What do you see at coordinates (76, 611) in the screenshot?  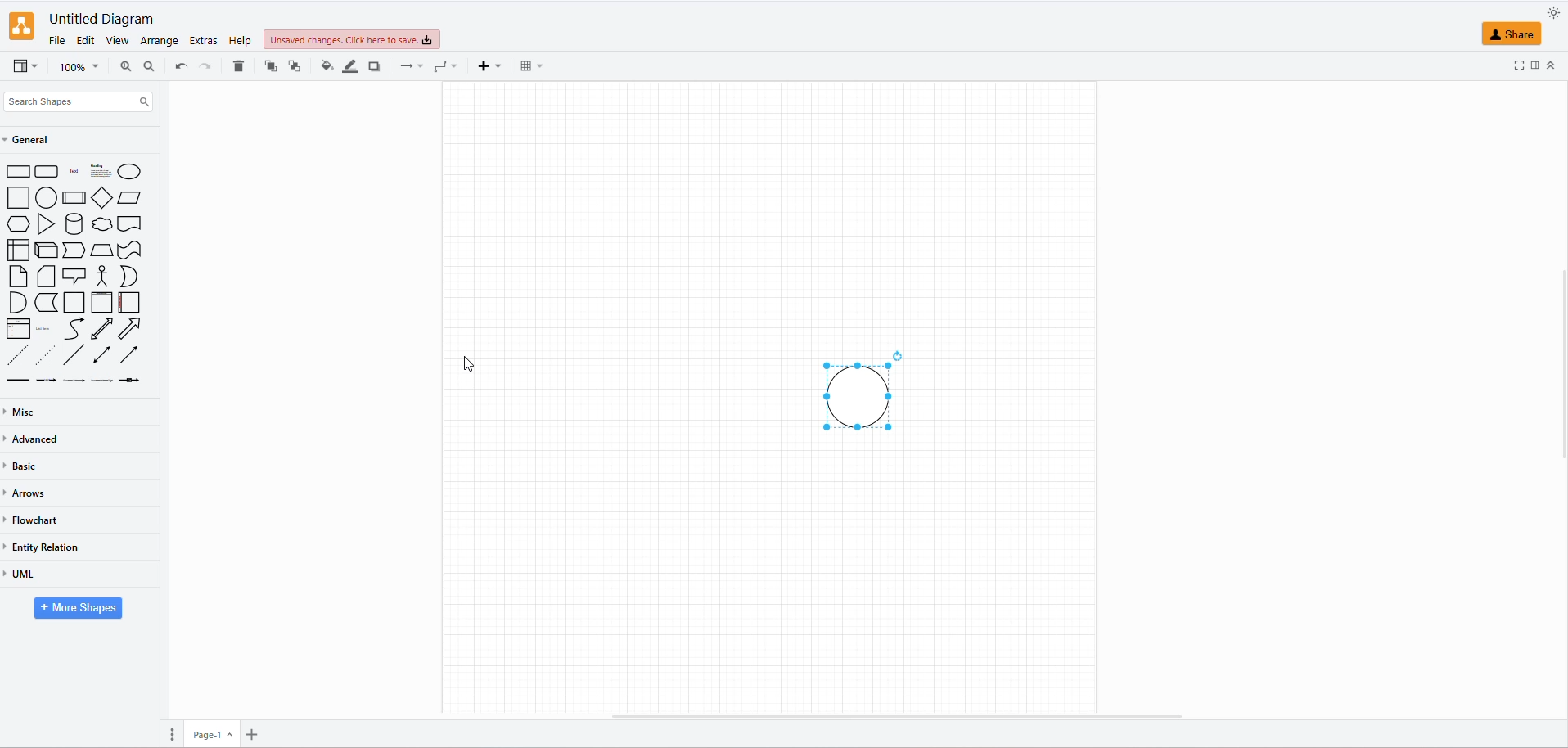 I see `MORE SHAPES` at bounding box center [76, 611].